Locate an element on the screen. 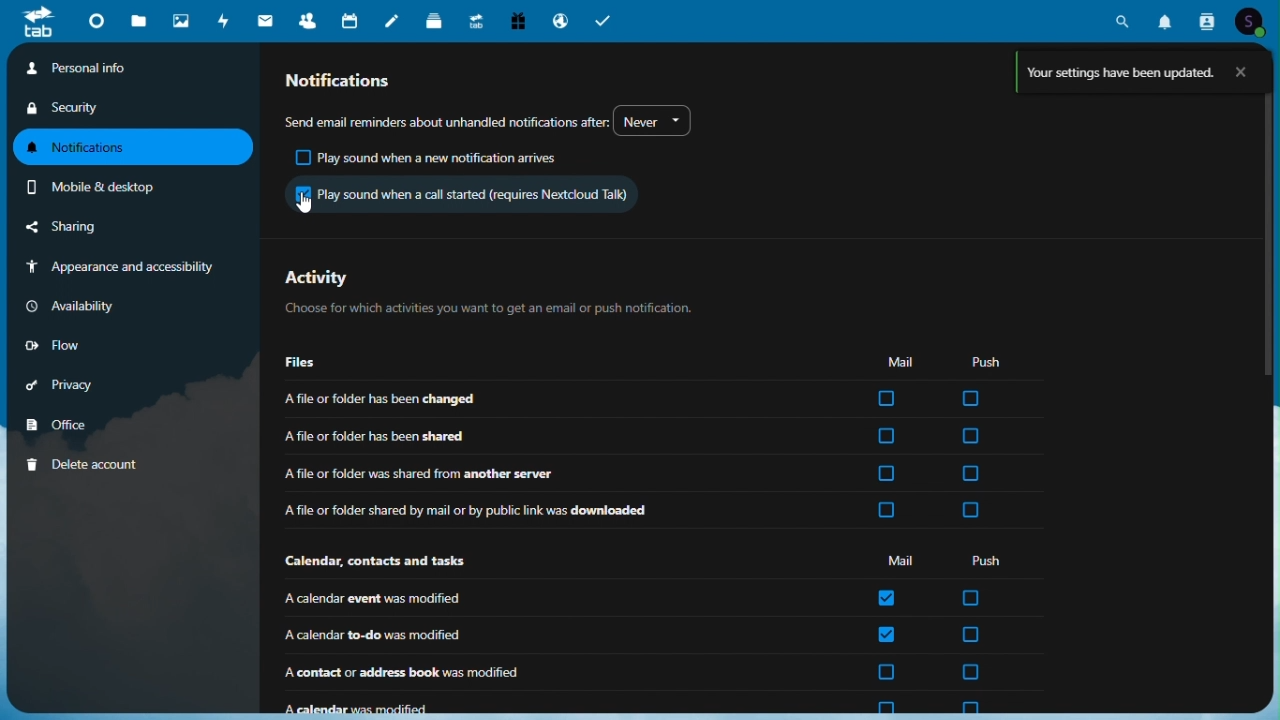 This screenshot has height=720, width=1280. Delete account is located at coordinates (82, 462).